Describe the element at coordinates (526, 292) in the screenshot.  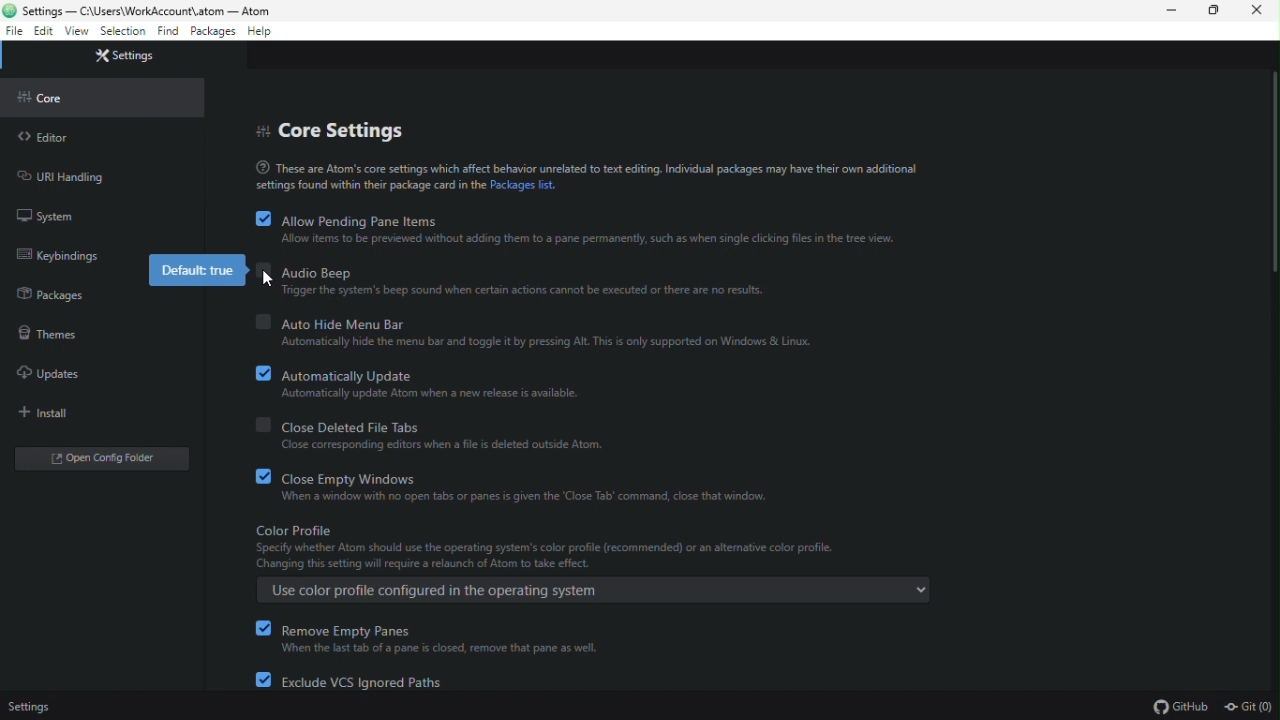
I see `Trigger the system's beep sound when certain actions cannot be executed or there are no results.` at that location.